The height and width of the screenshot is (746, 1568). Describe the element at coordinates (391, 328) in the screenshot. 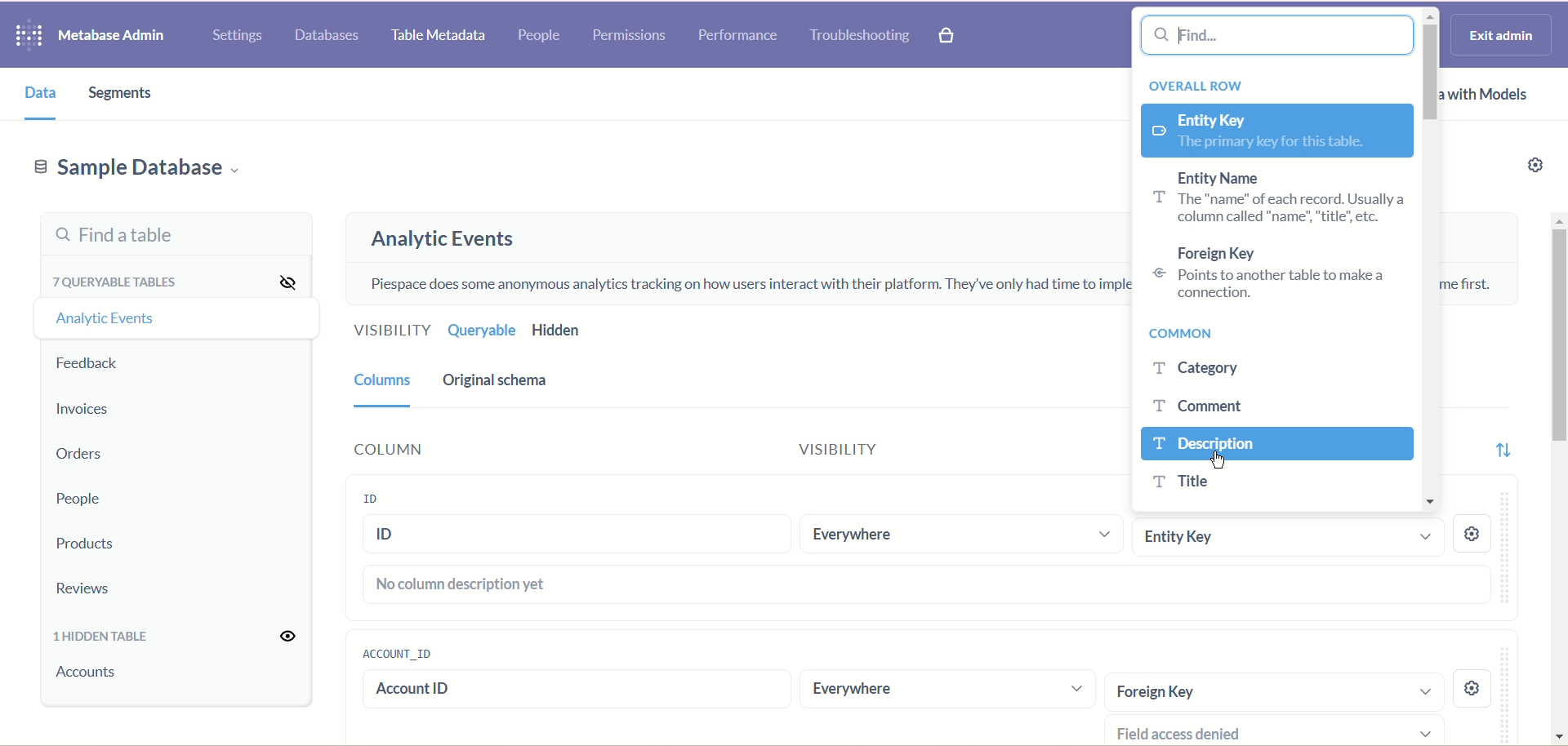

I see `visibility` at that location.